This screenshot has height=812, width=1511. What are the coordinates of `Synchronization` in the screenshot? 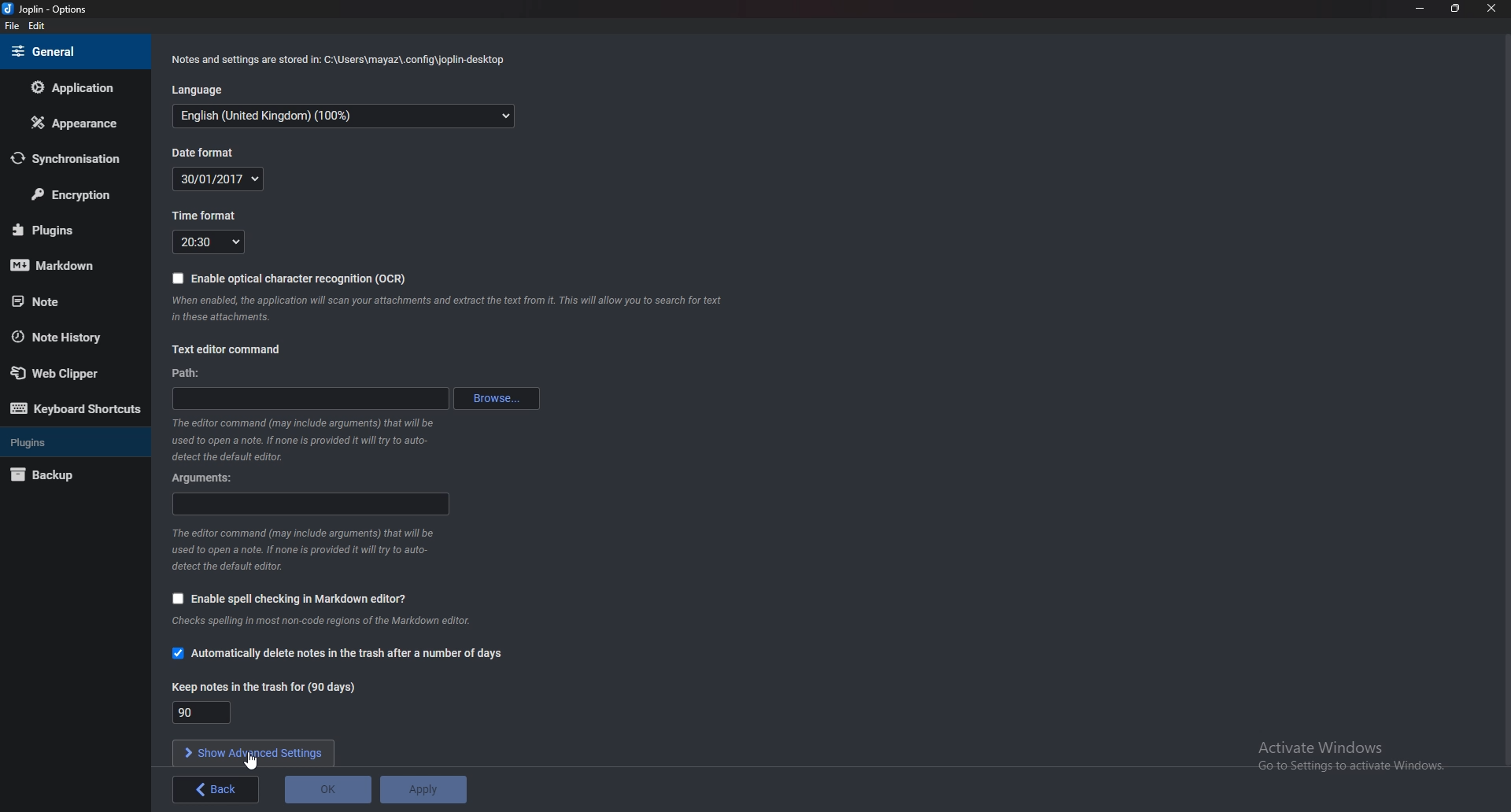 It's located at (66, 159).